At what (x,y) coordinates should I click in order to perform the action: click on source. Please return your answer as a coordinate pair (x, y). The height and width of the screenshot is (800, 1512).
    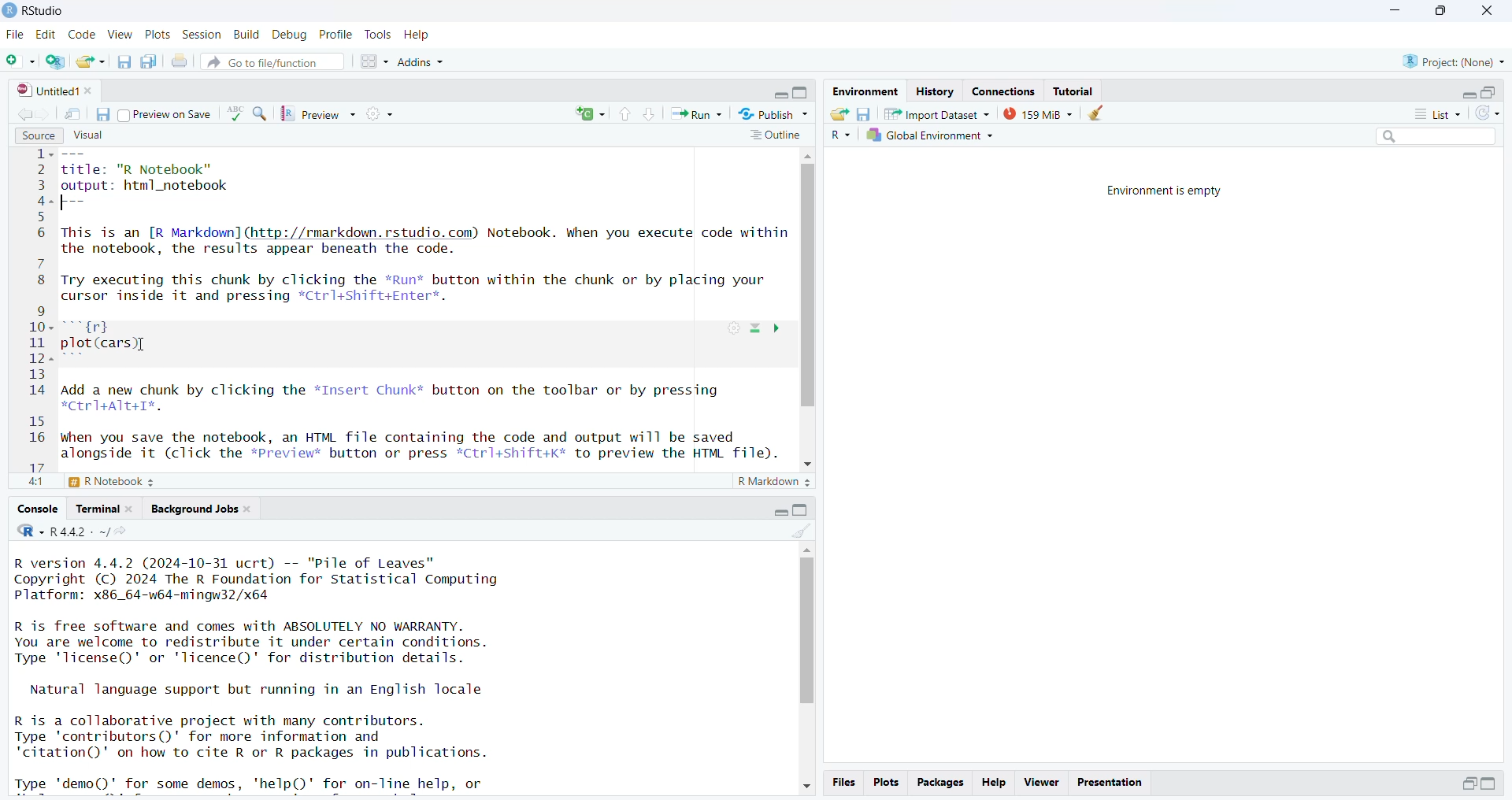
    Looking at the image, I should click on (428, 307).